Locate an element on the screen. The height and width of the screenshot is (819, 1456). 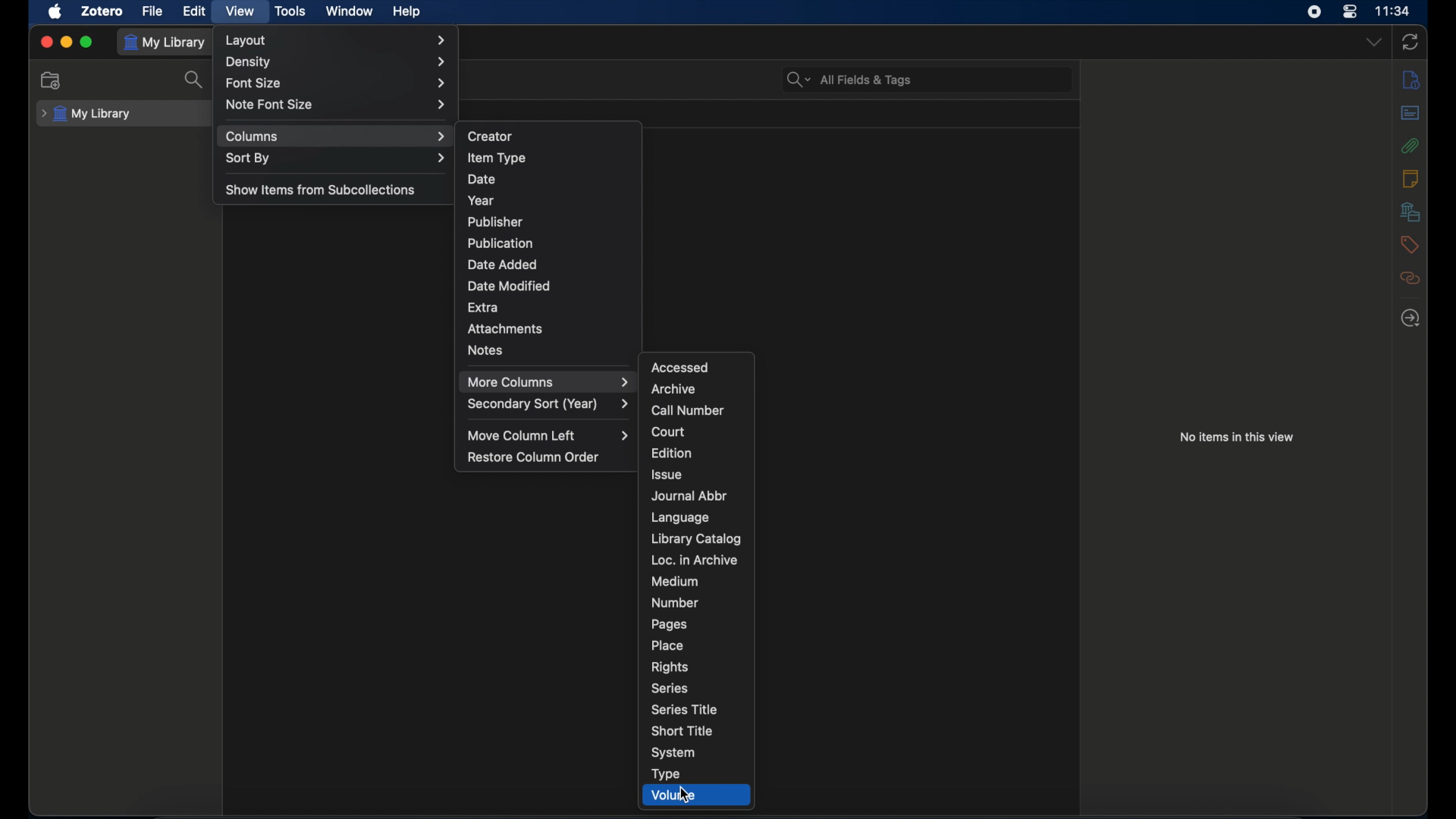
file is located at coordinates (152, 12).